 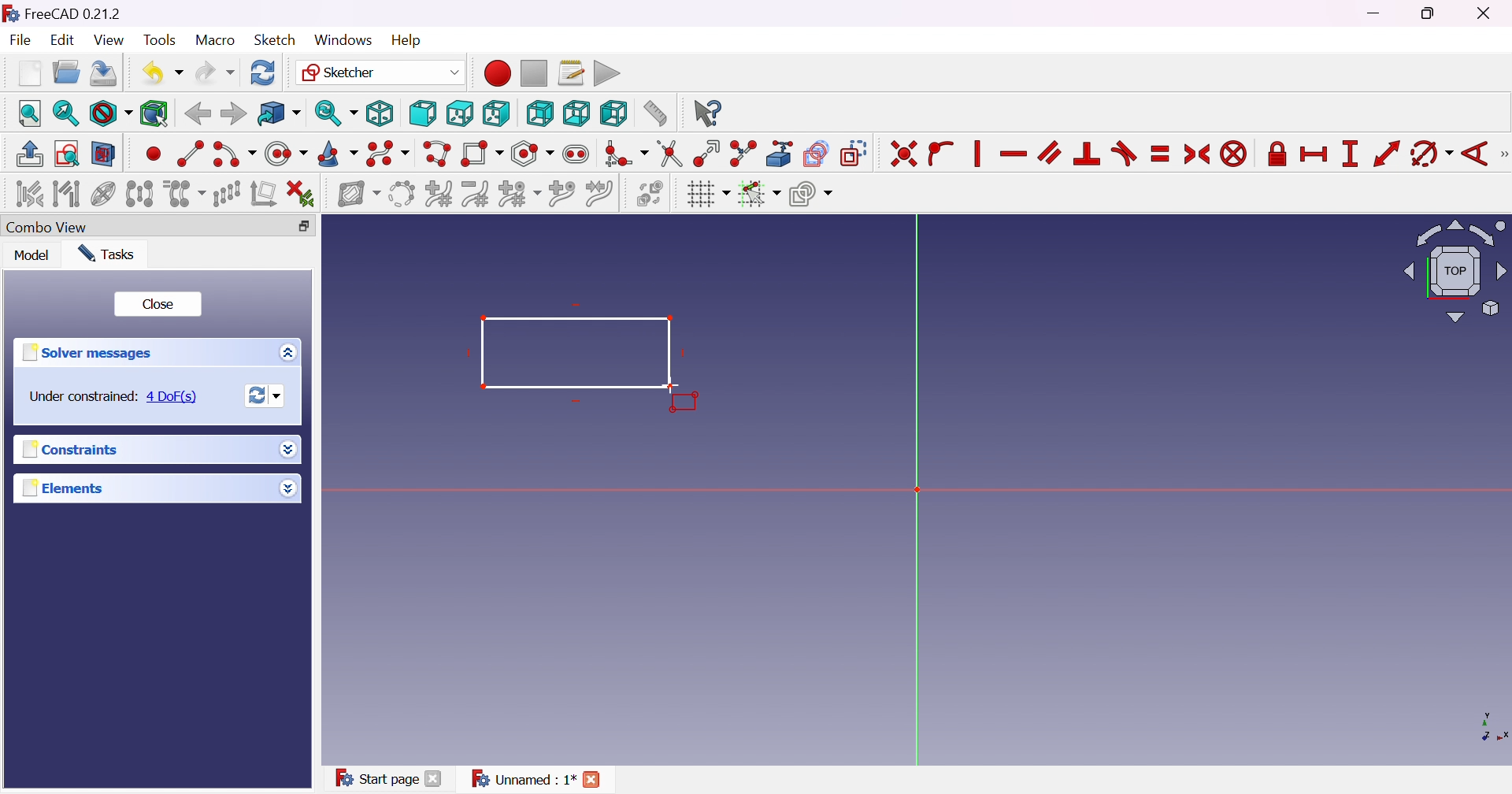 What do you see at coordinates (810, 193) in the screenshot?
I see `Configure rendering order` at bounding box center [810, 193].